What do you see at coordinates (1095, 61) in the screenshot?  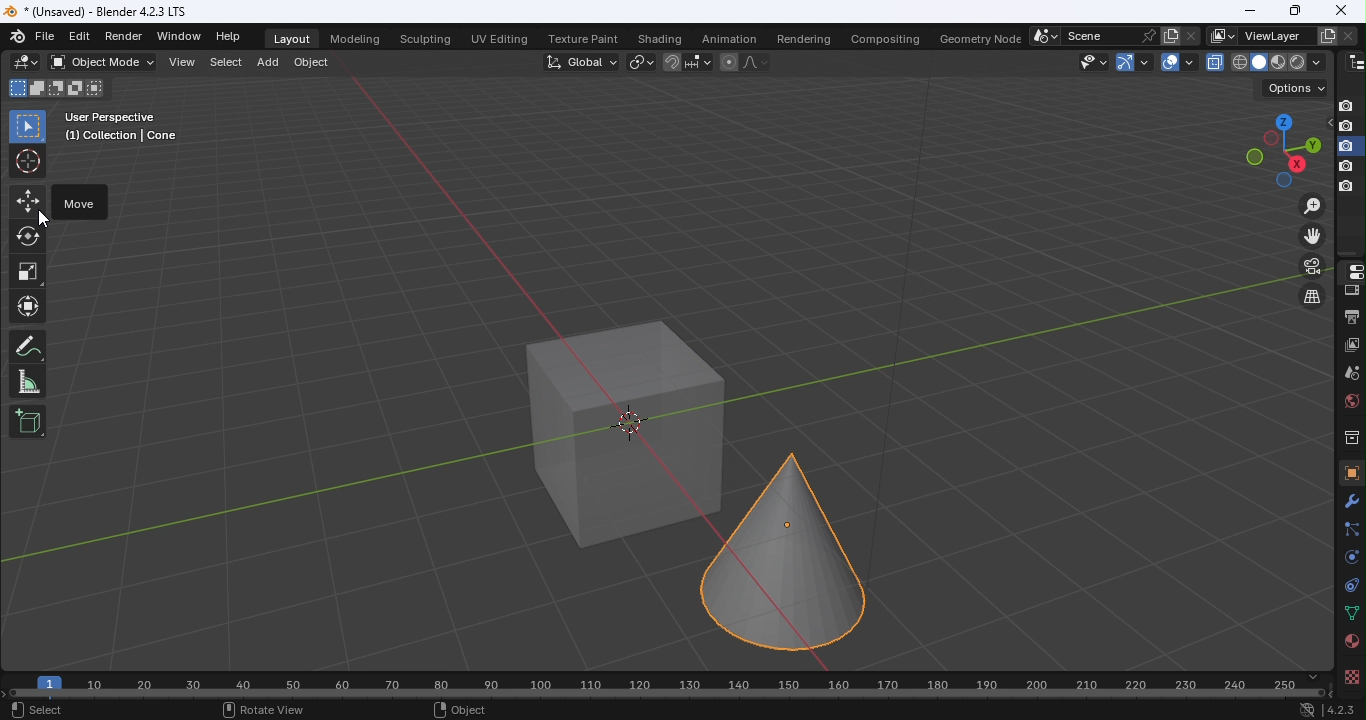 I see `Selectability and visibility` at bounding box center [1095, 61].